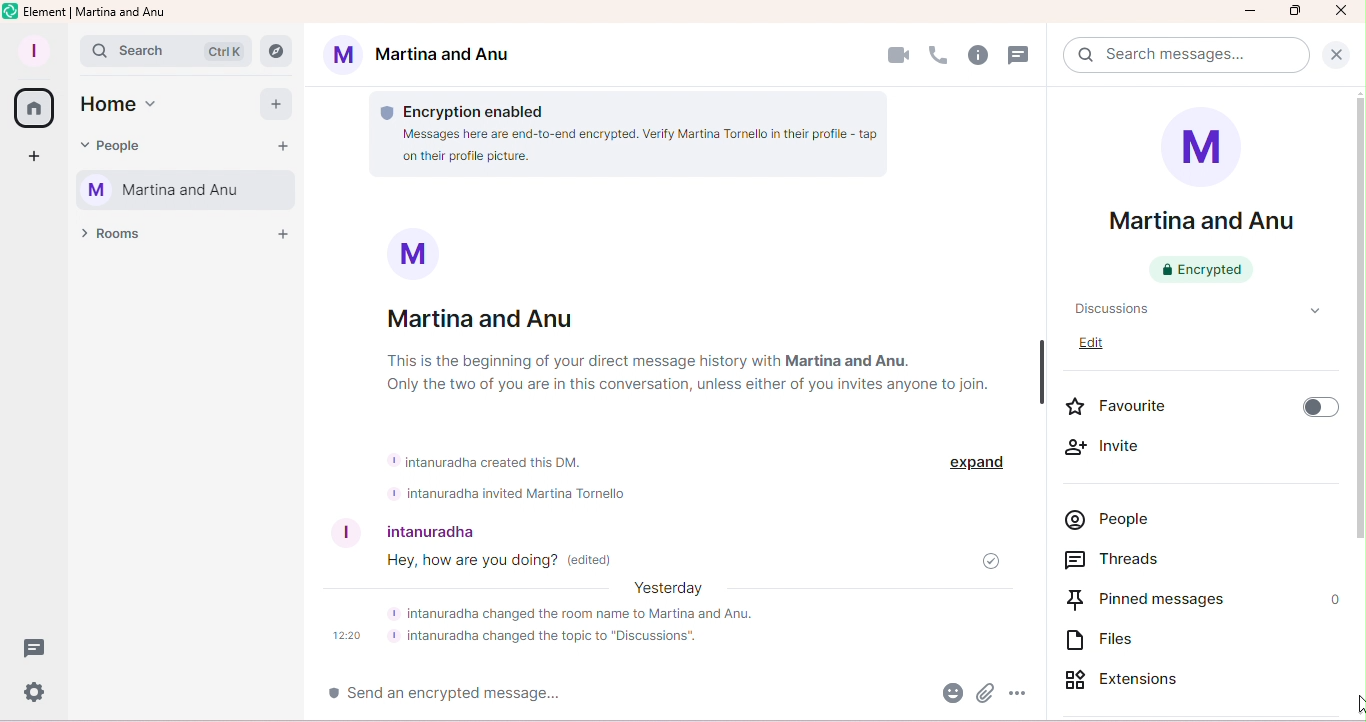 The image size is (1366, 722). Describe the element at coordinates (1132, 682) in the screenshot. I see `Extensions` at that location.